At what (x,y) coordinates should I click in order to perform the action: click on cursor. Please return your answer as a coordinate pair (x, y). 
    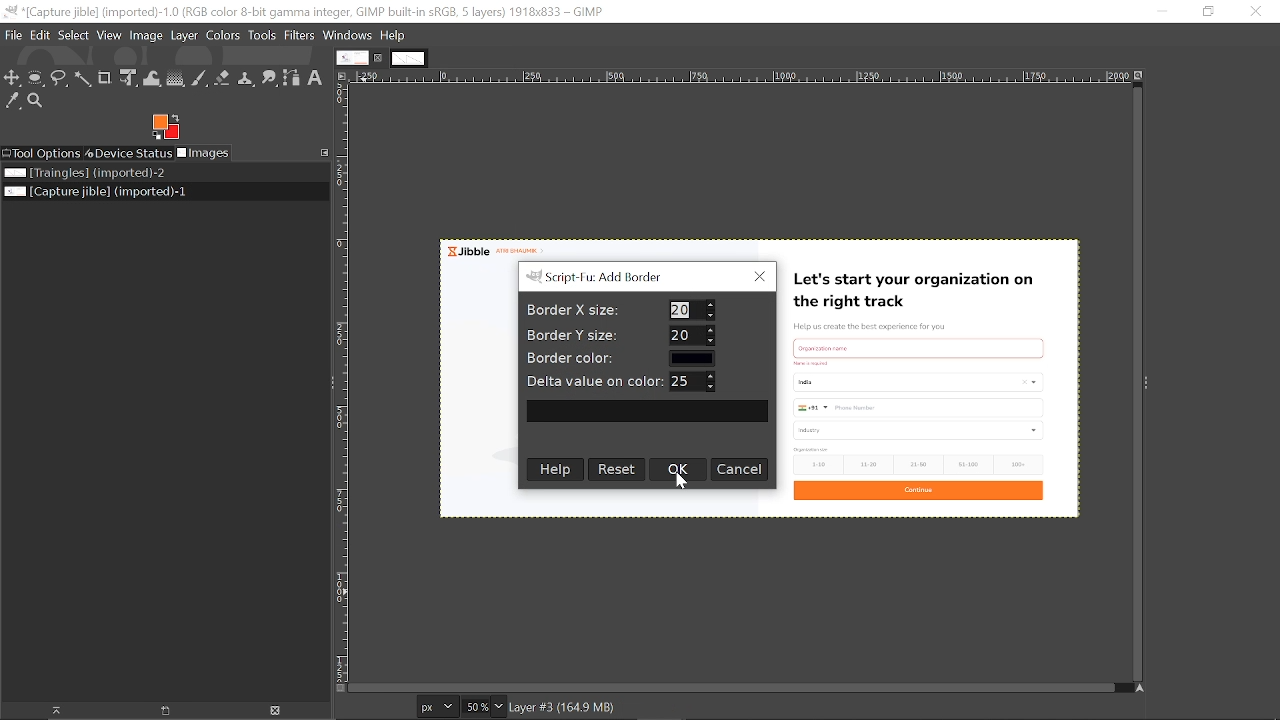
    Looking at the image, I should click on (682, 482).